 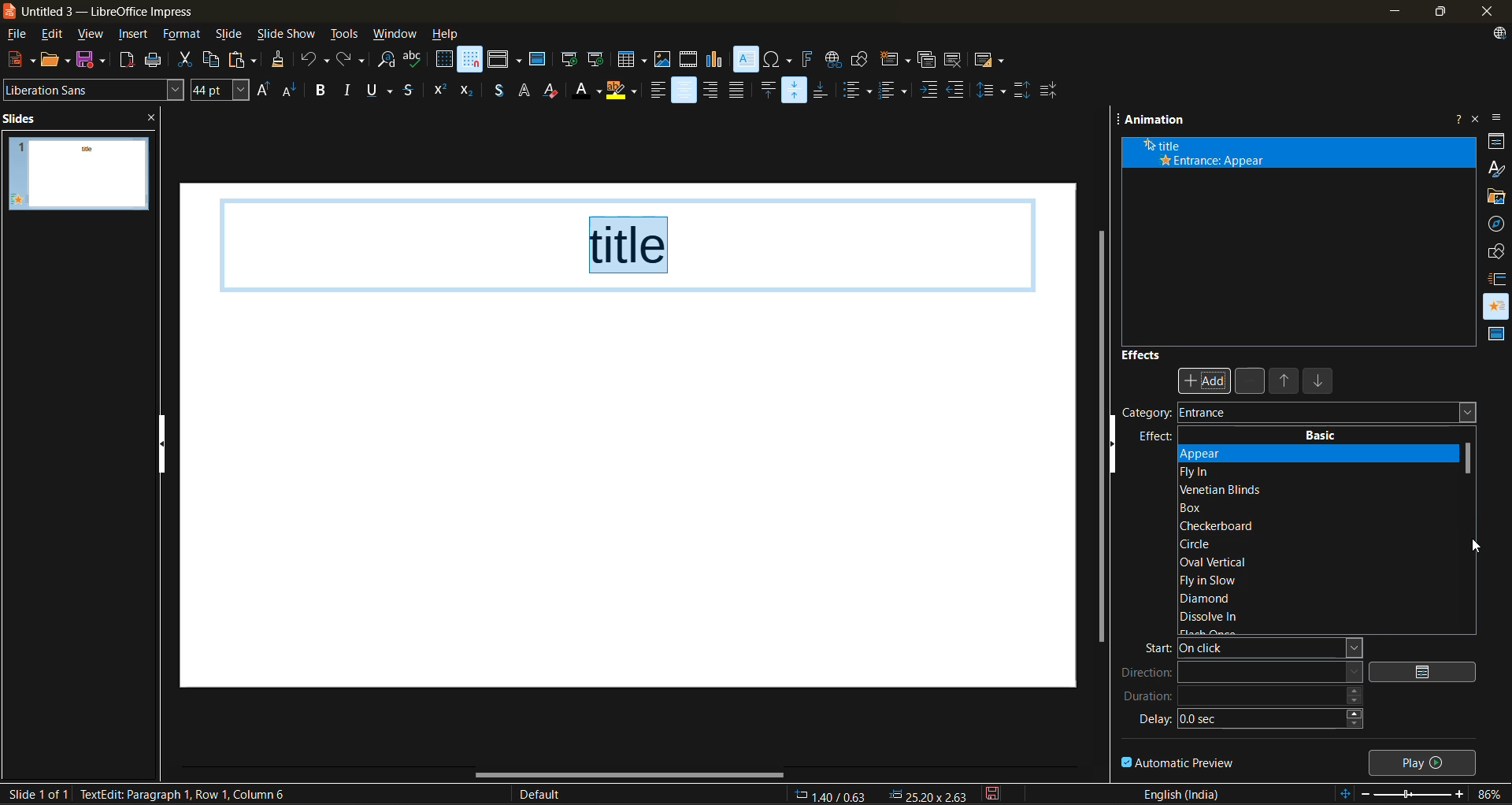 What do you see at coordinates (158, 60) in the screenshot?
I see `print` at bounding box center [158, 60].